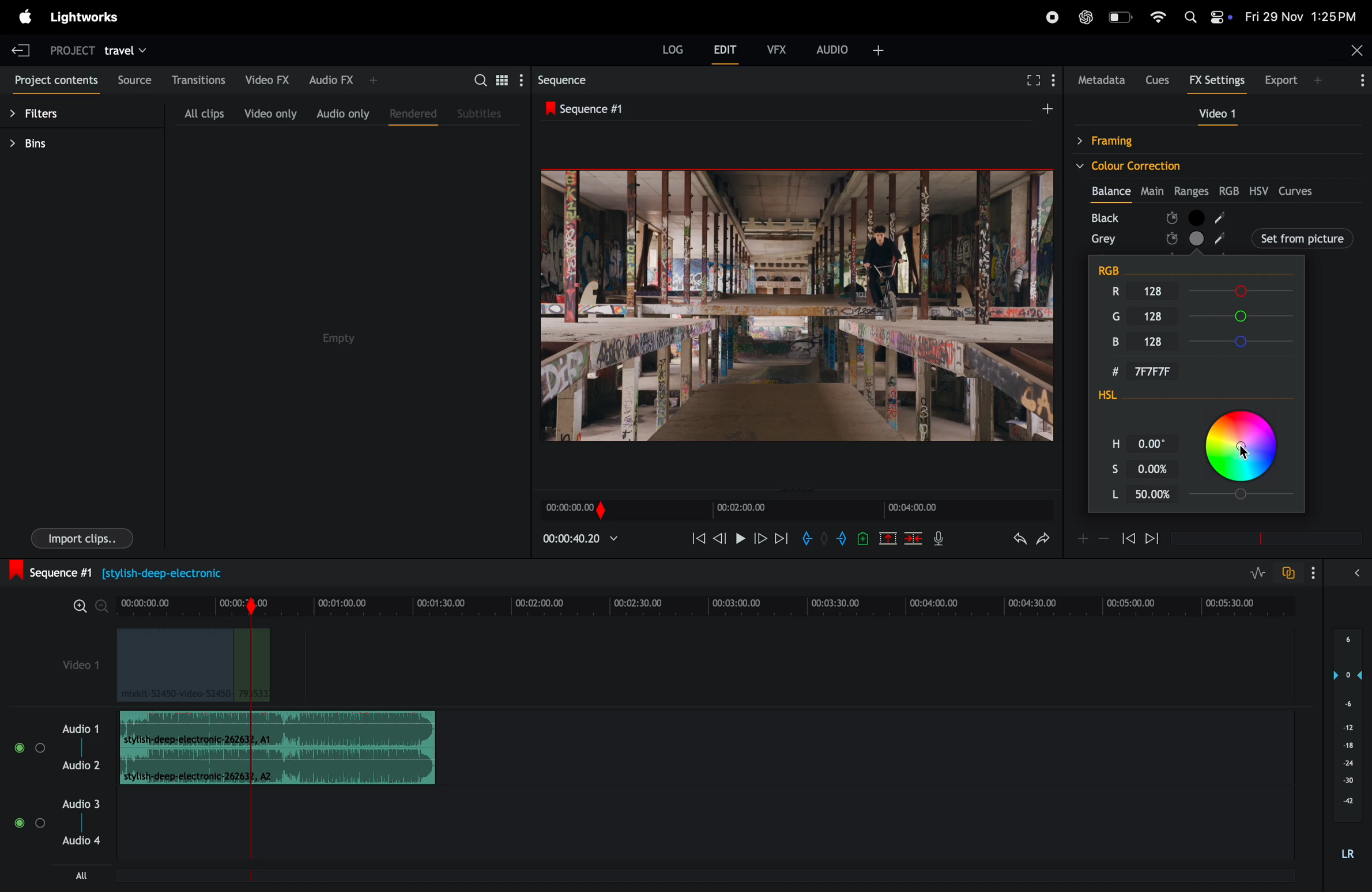  Describe the element at coordinates (199, 79) in the screenshot. I see `transitions` at that location.